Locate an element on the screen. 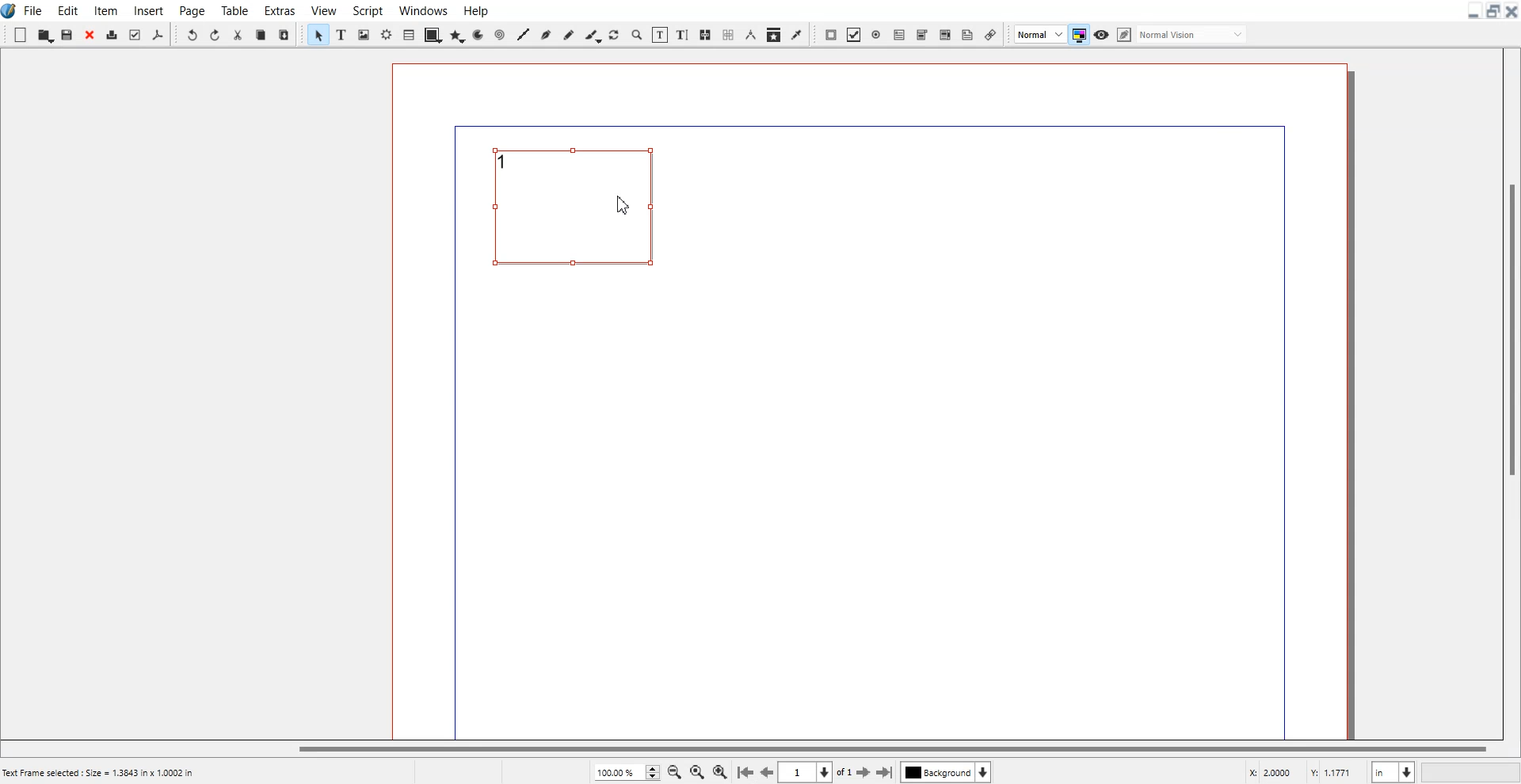 The image size is (1521, 784). Preflight verifier is located at coordinates (135, 33).